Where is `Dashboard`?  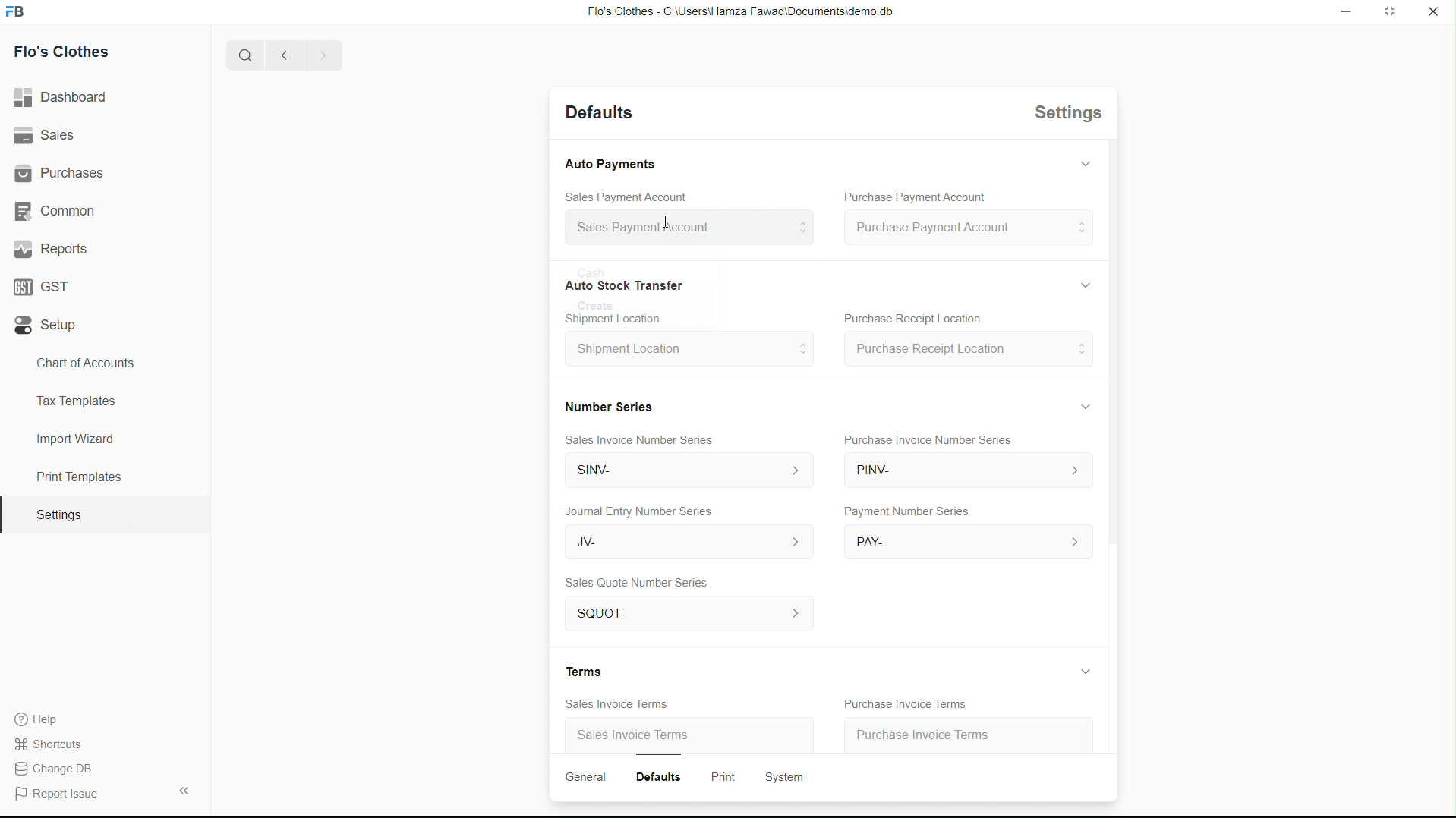 Dashboard is located at coordinates (66, 98).